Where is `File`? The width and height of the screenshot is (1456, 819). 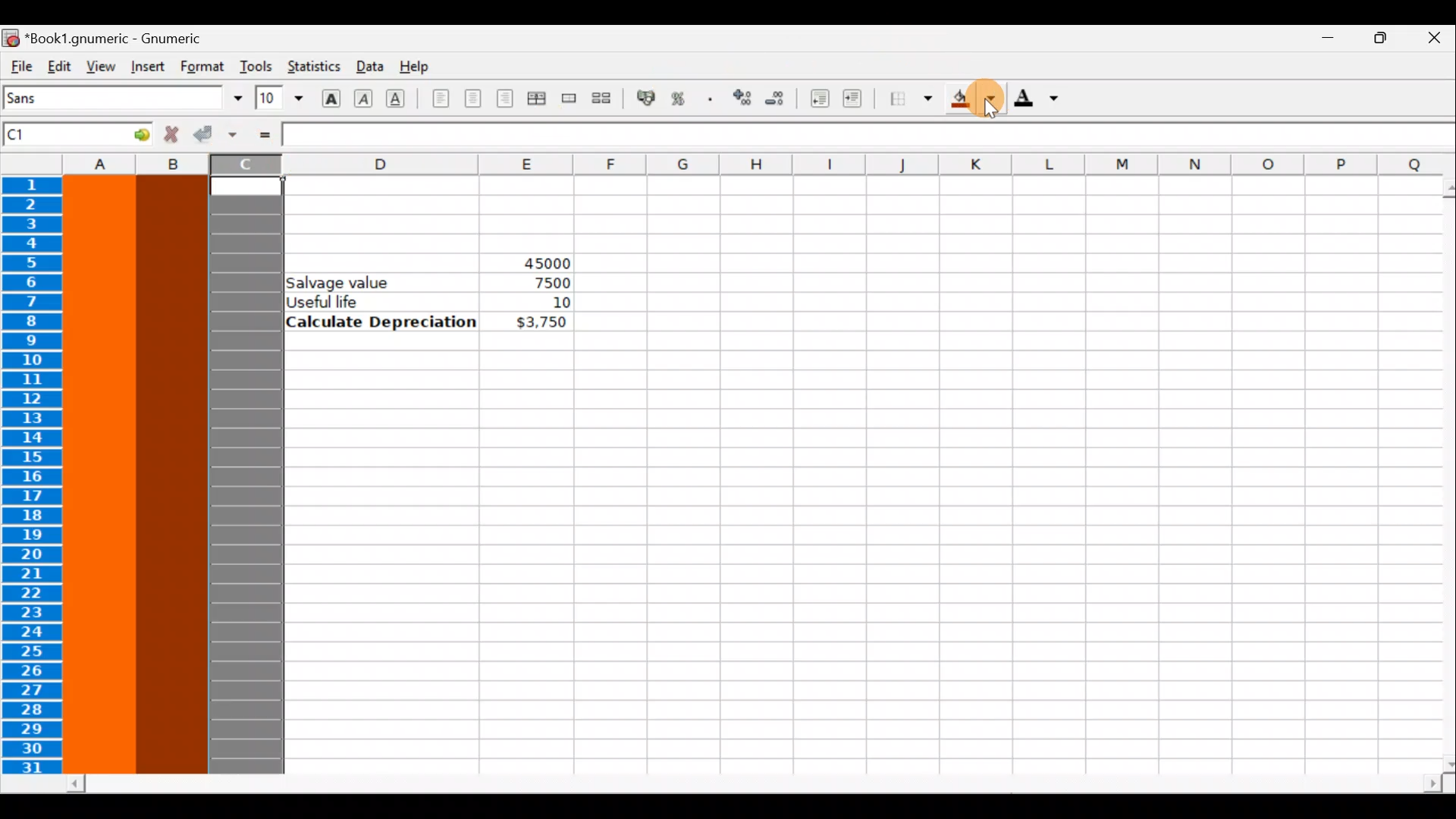
File is located at coordinates (20, 67).